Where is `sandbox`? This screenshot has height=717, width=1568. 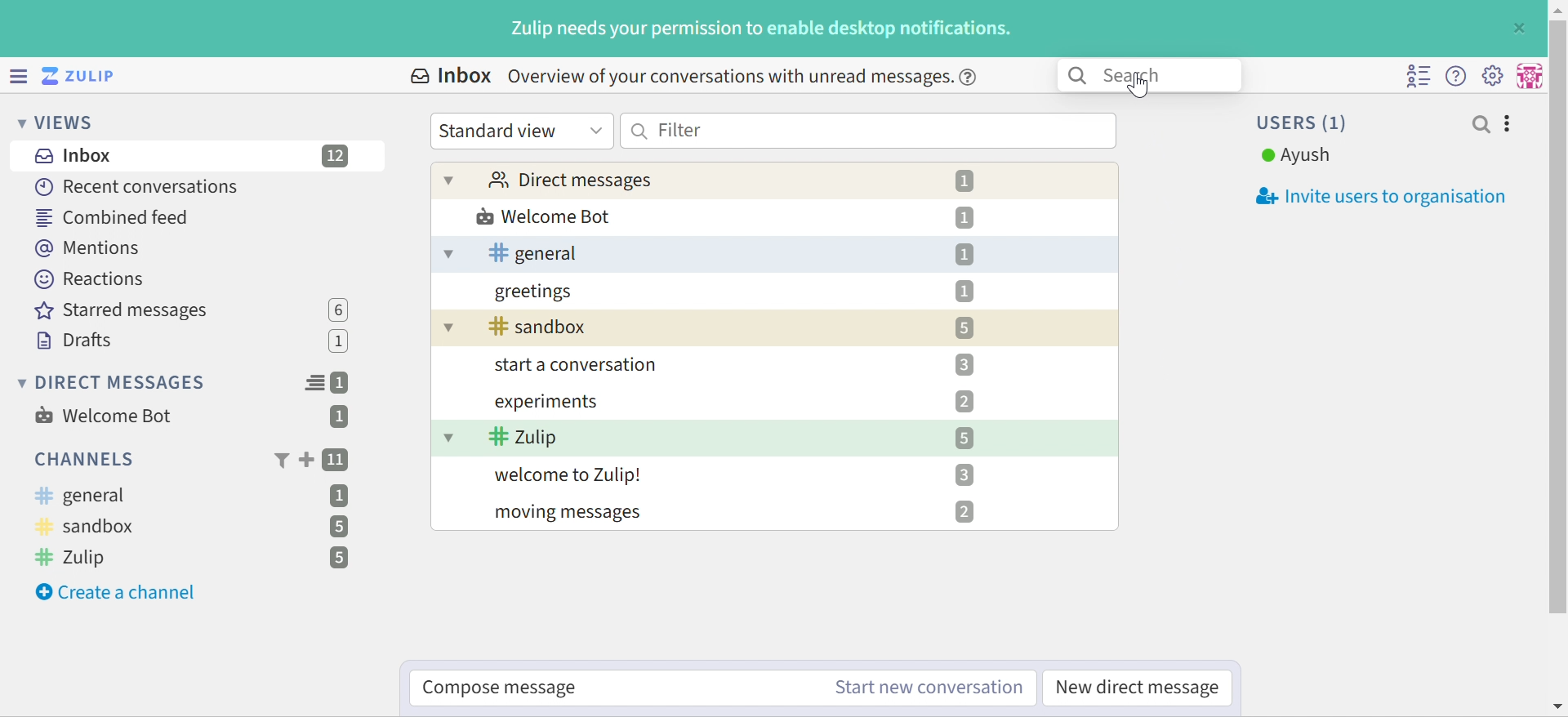
sandbox is located at coordinates (542, 326).